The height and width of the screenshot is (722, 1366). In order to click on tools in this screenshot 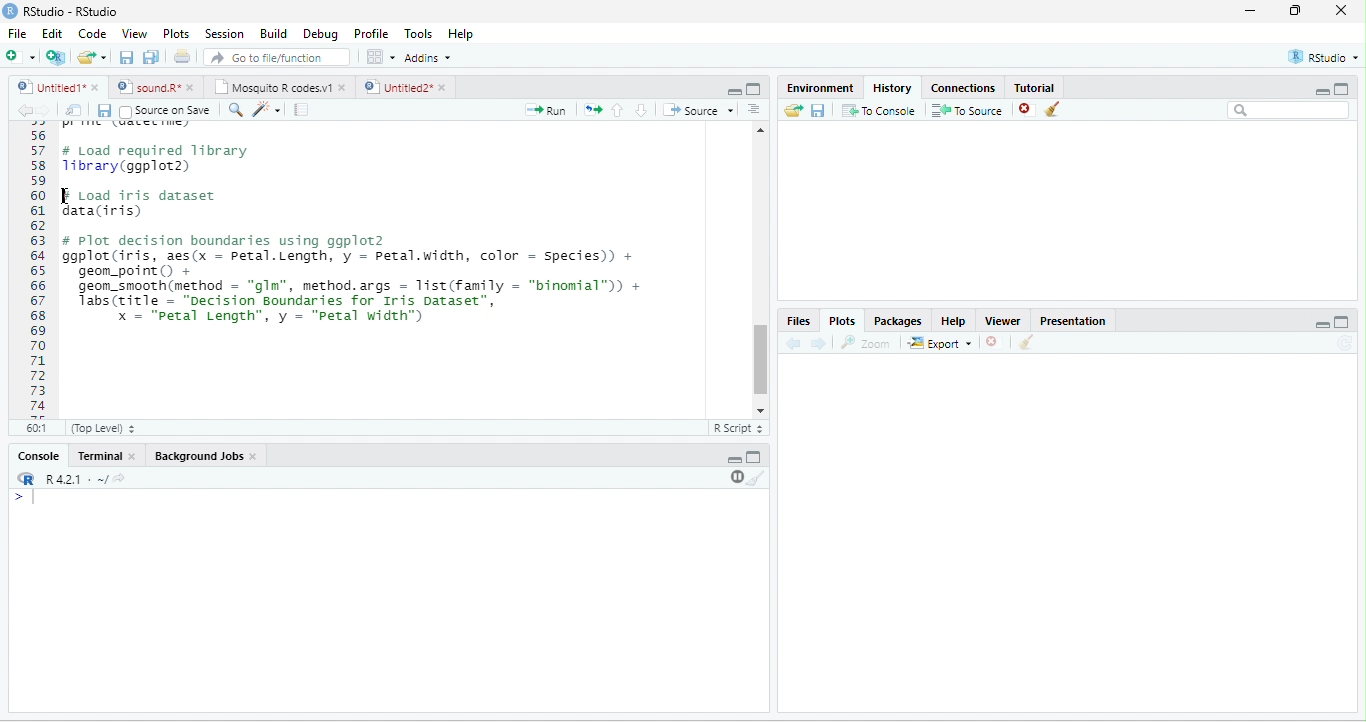, I will do `click(265, 111)`.